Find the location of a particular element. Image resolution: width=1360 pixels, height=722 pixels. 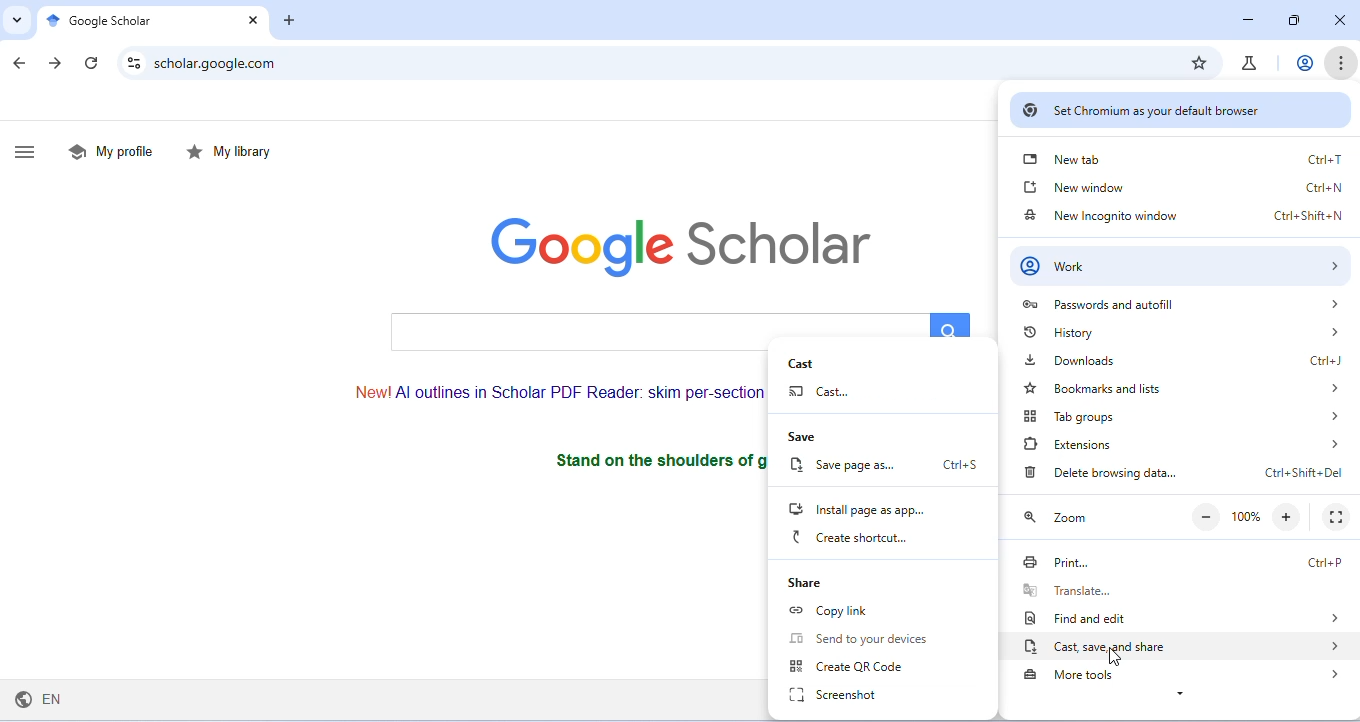

install page as app.. is located at coordinates (866, 511).